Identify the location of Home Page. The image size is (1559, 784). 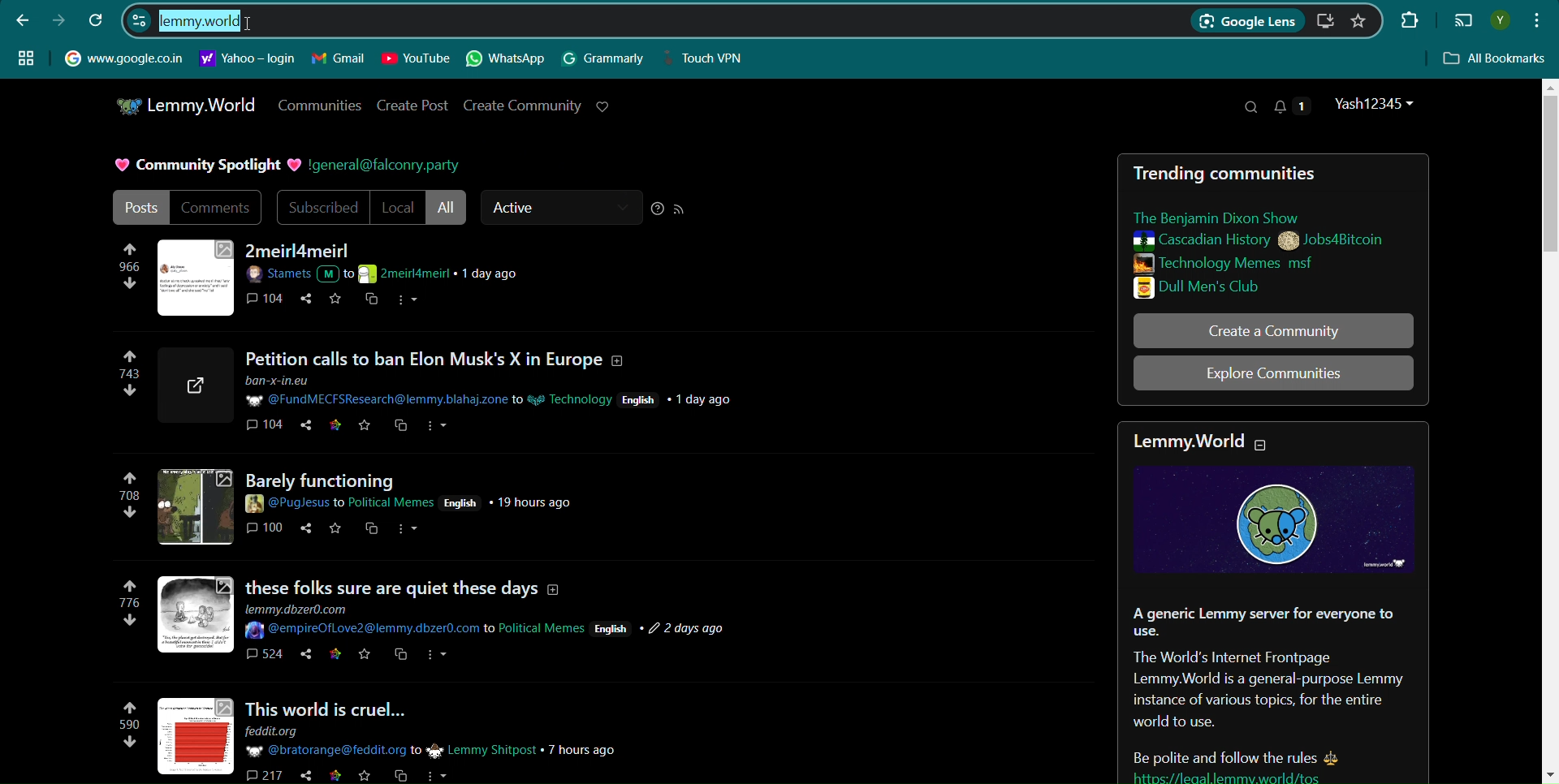
(184, 106).